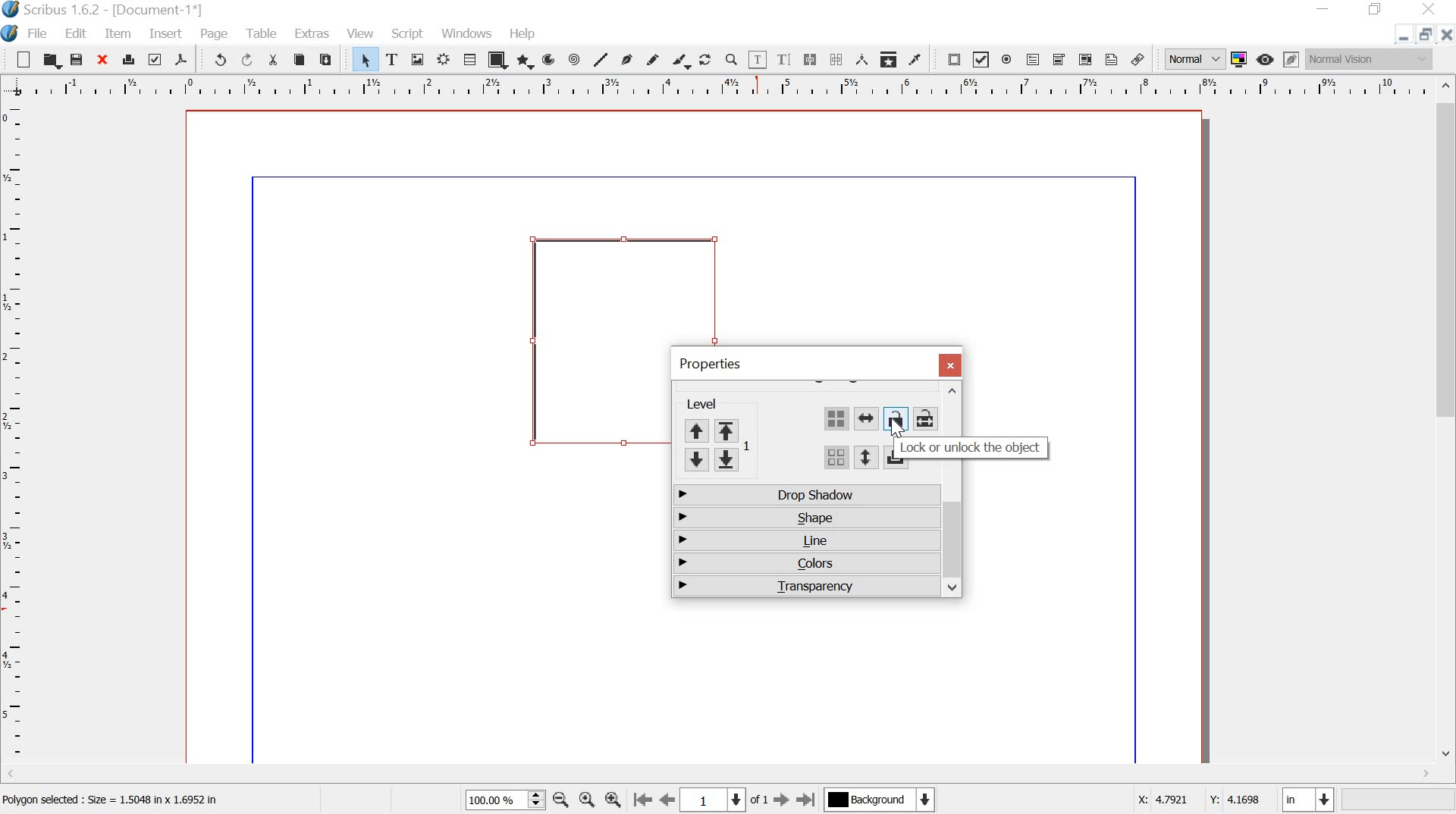 This screenshot has height=814, width=1456. What do you see at coordinates (836, 459) in the screenshot?
I see `ungroup` at bounding box center [836, 459].